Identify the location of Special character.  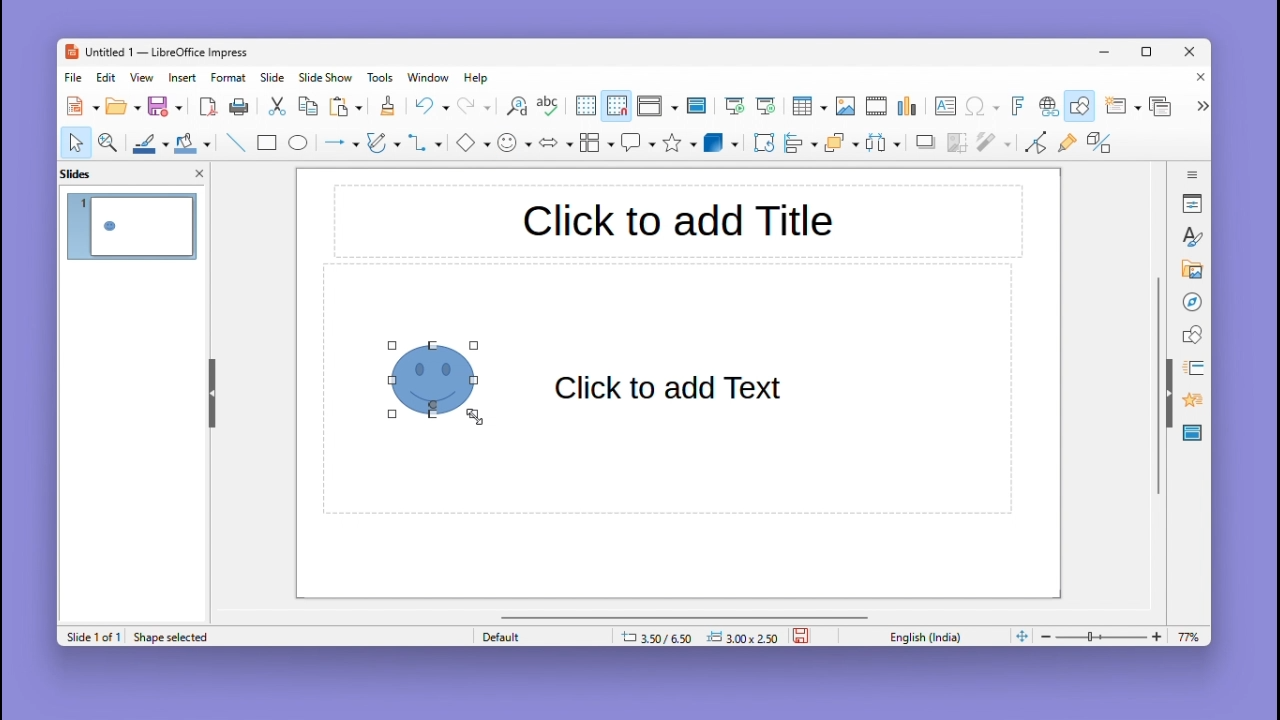
(983, 108).